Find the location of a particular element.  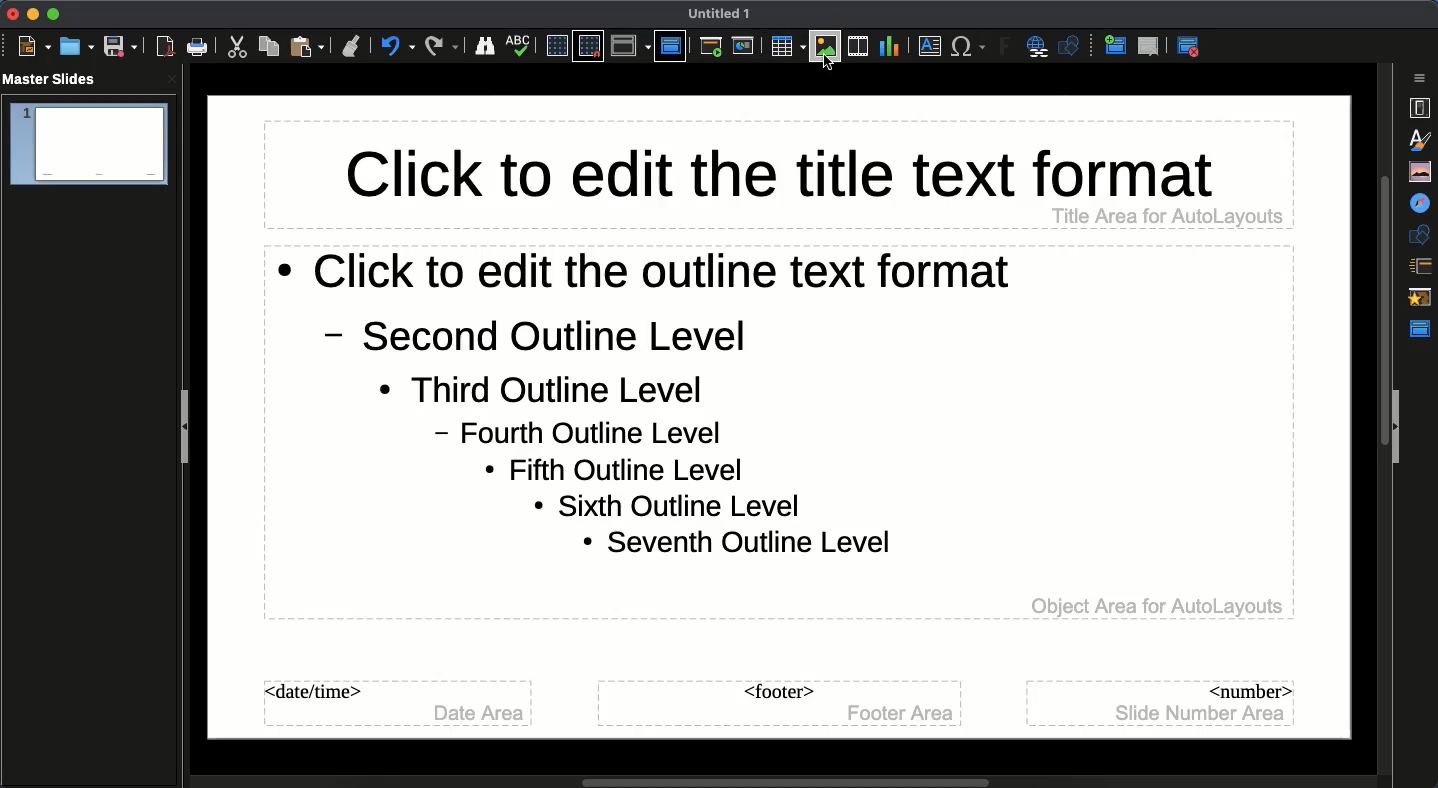

Scroll is located at coordinates (748, 779).